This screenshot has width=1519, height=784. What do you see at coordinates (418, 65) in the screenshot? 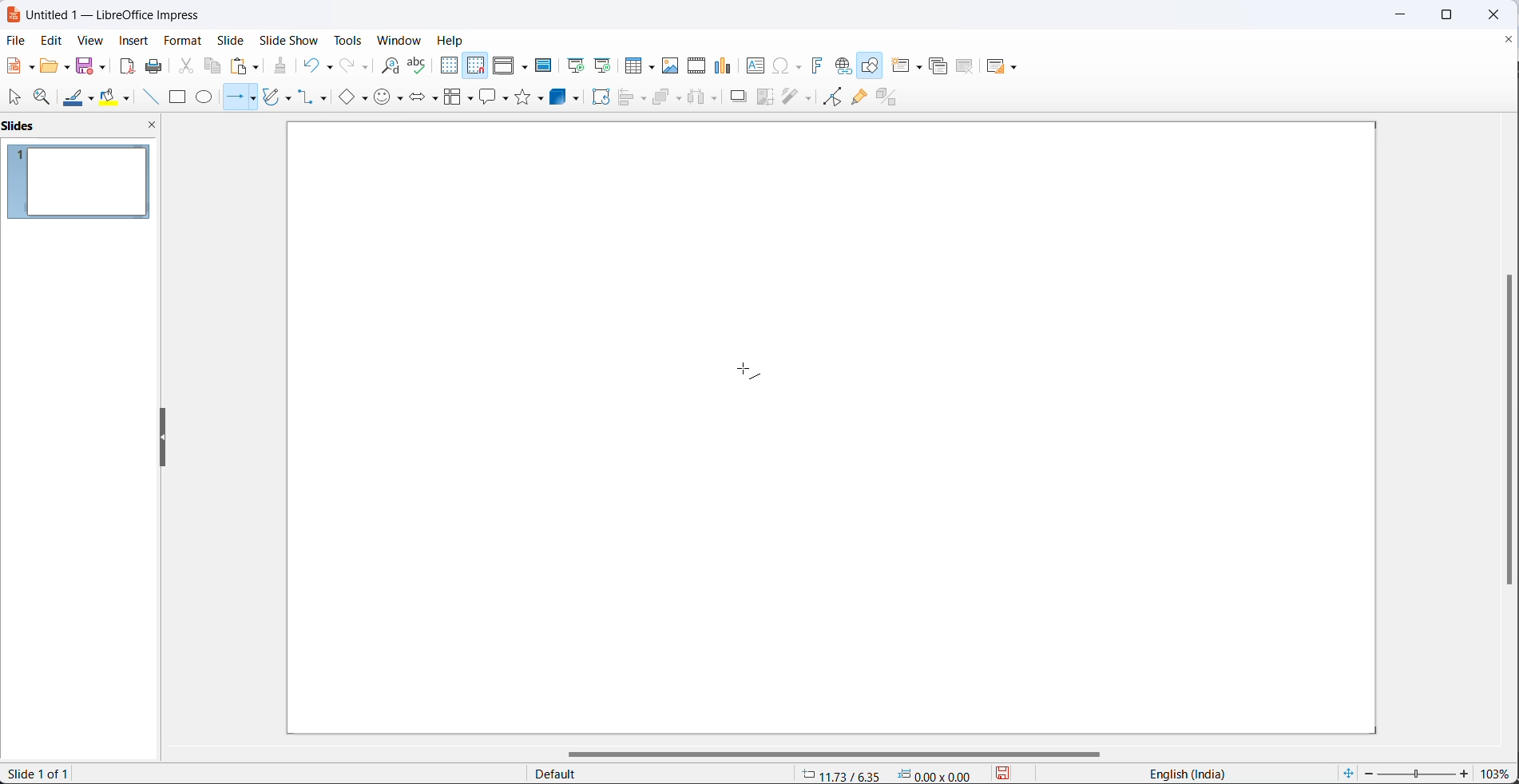
I see `spellings` at bounding box center [418, 65].